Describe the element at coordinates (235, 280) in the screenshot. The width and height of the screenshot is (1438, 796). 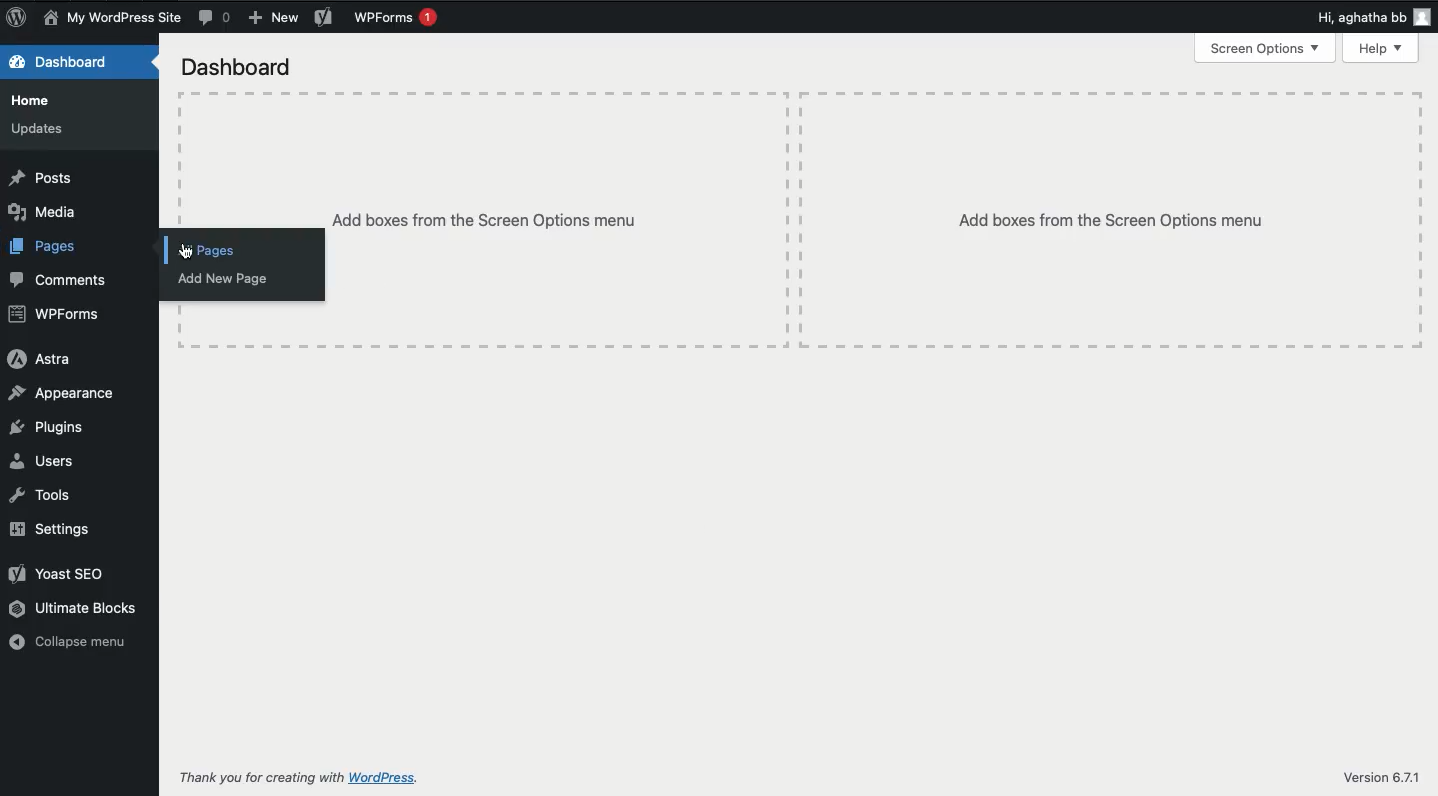
I see `Add new page` at that location.